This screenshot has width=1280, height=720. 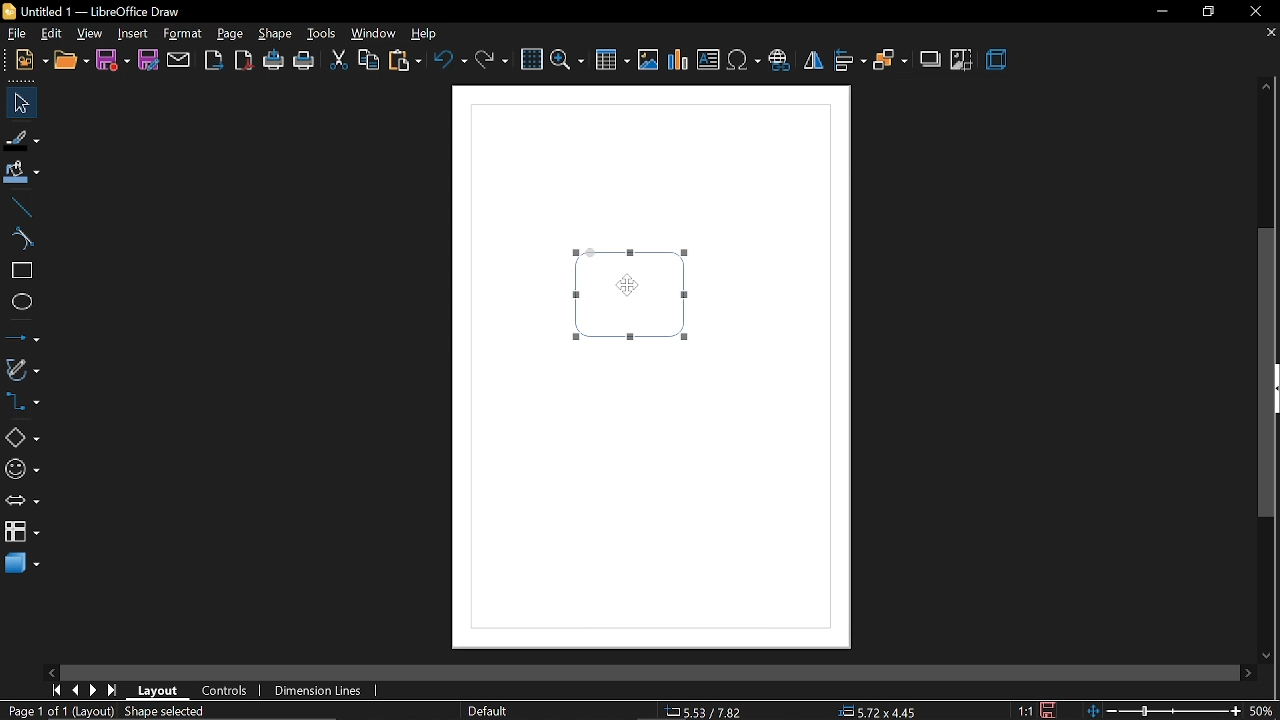 I want to click on crop, so click(x=962, y=60).